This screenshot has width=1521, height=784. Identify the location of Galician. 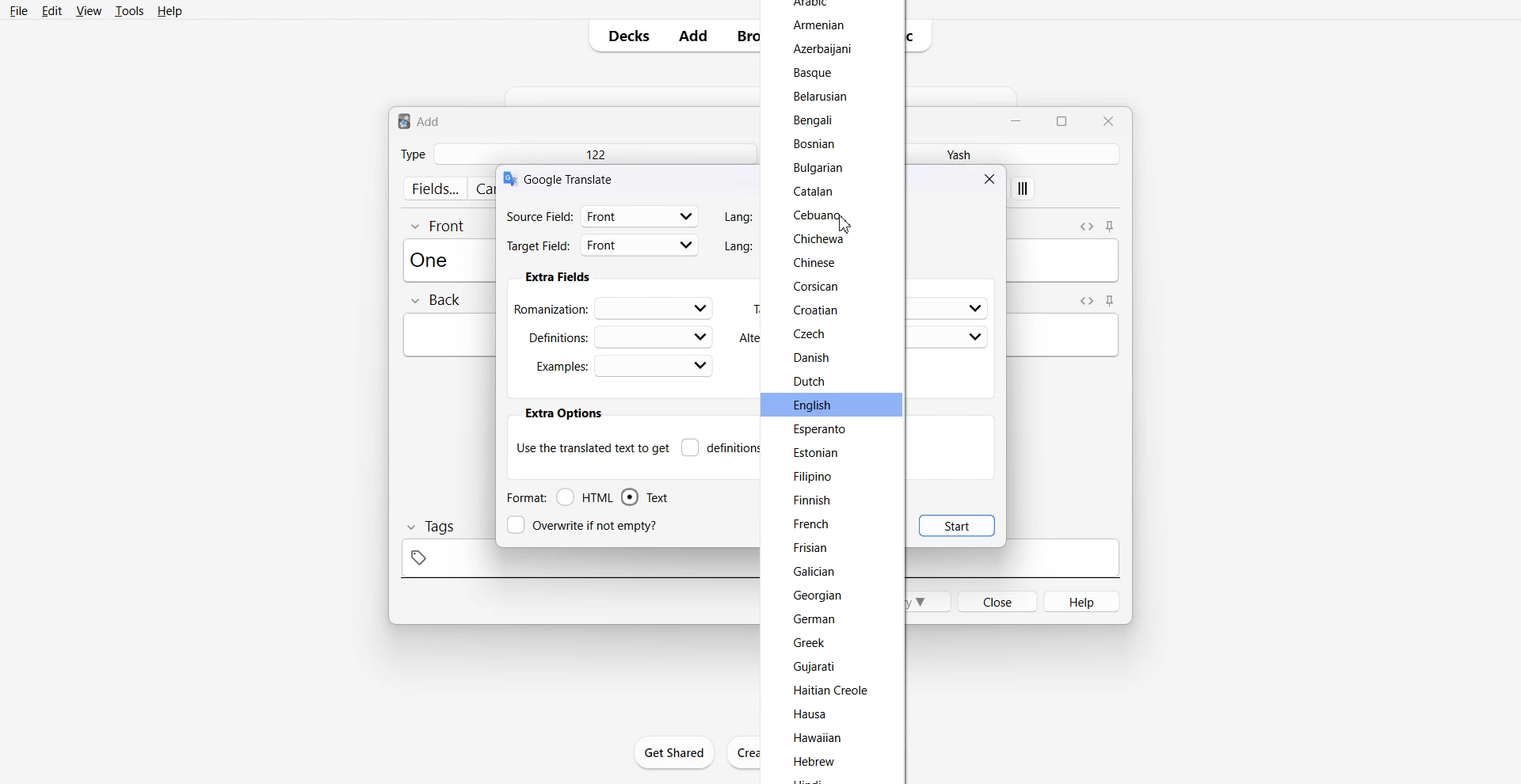
(817, 573).